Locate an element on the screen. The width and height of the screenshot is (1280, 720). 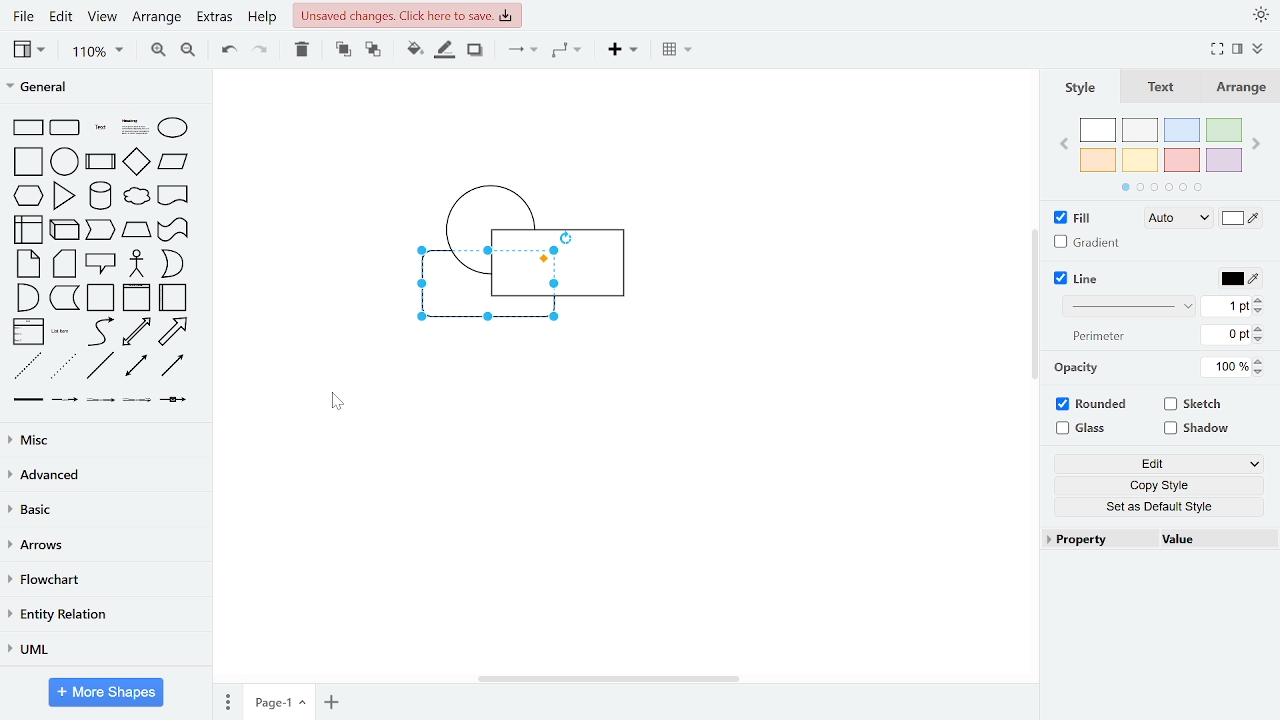
diagram is located at coordinates (519, 259).